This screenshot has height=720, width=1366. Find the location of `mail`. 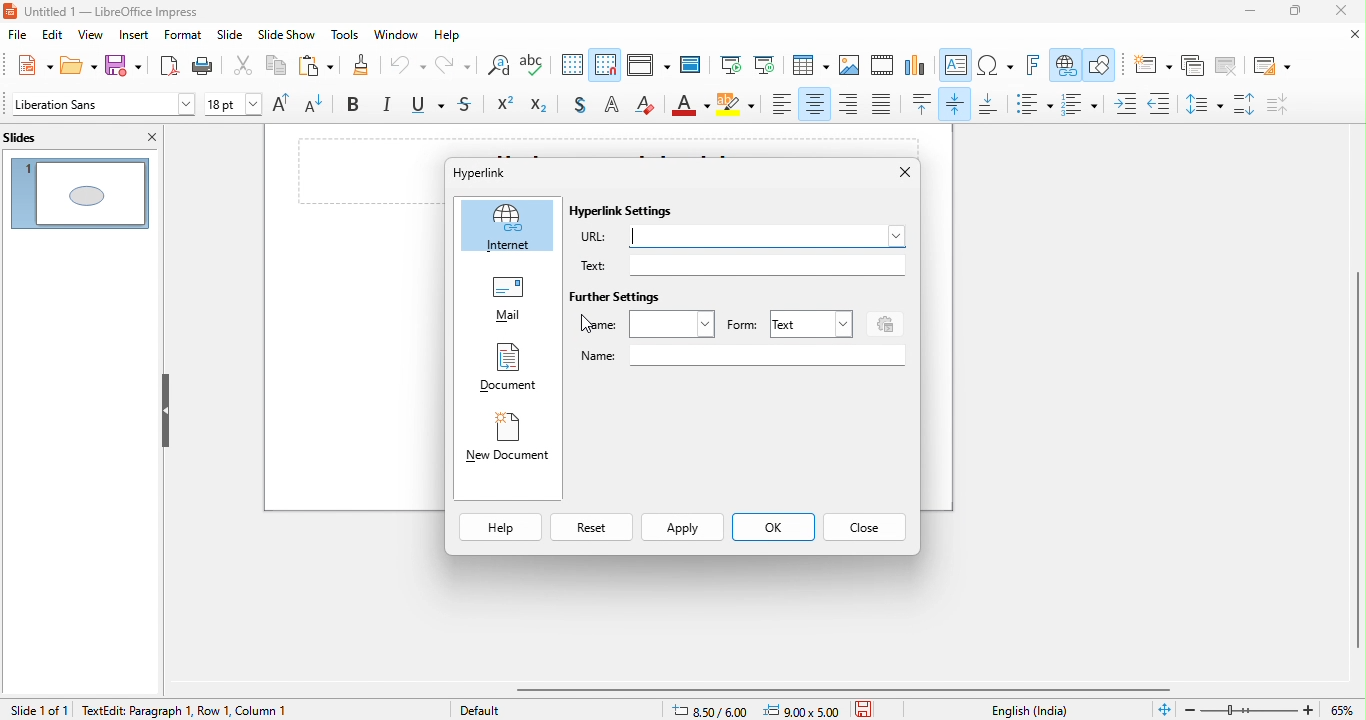

mail is located at coordinates (508, 302).